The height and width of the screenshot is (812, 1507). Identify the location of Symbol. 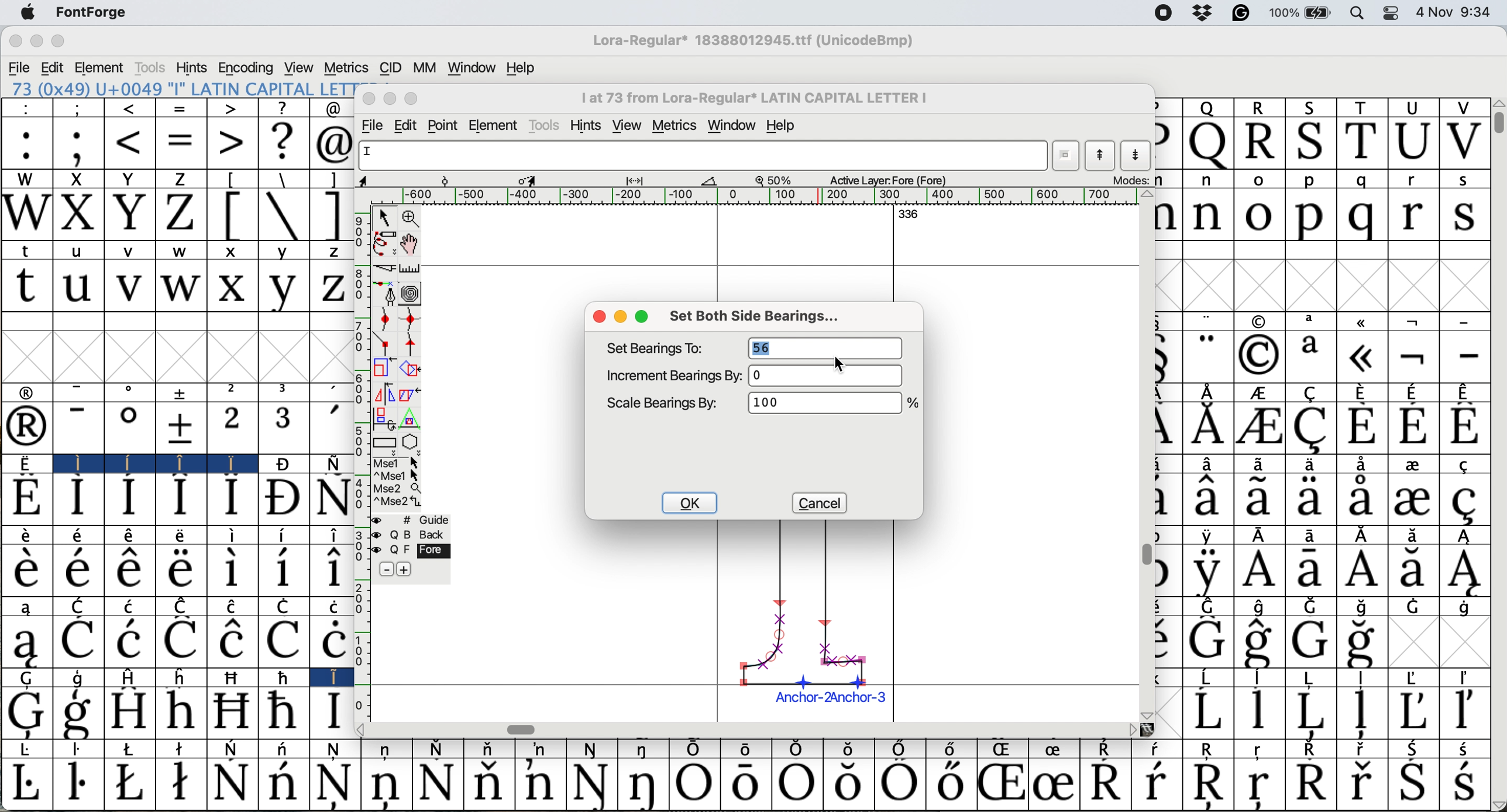
(232, 536).